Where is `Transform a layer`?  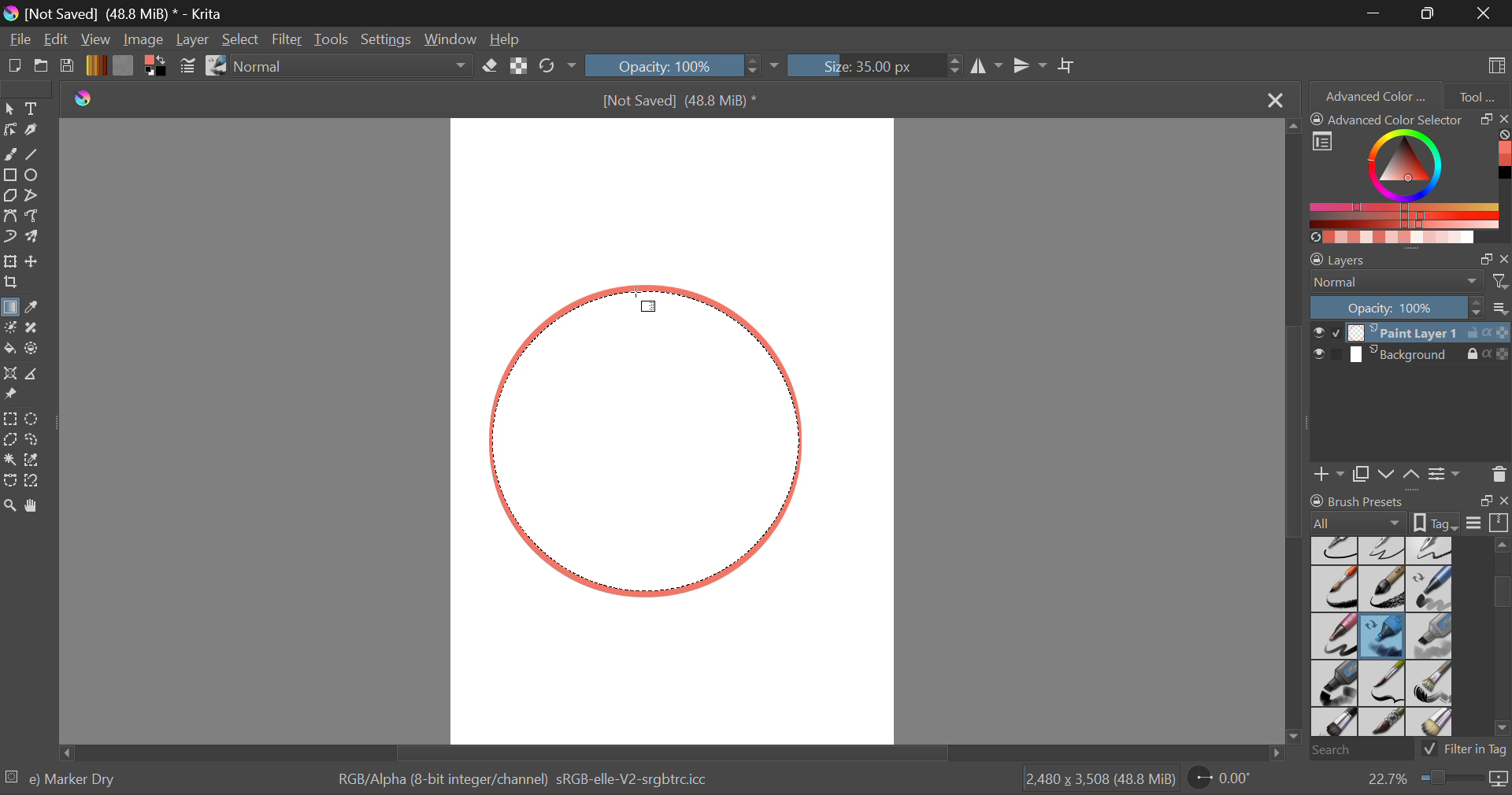
Transform a layer is located at coordinates (9, 261).